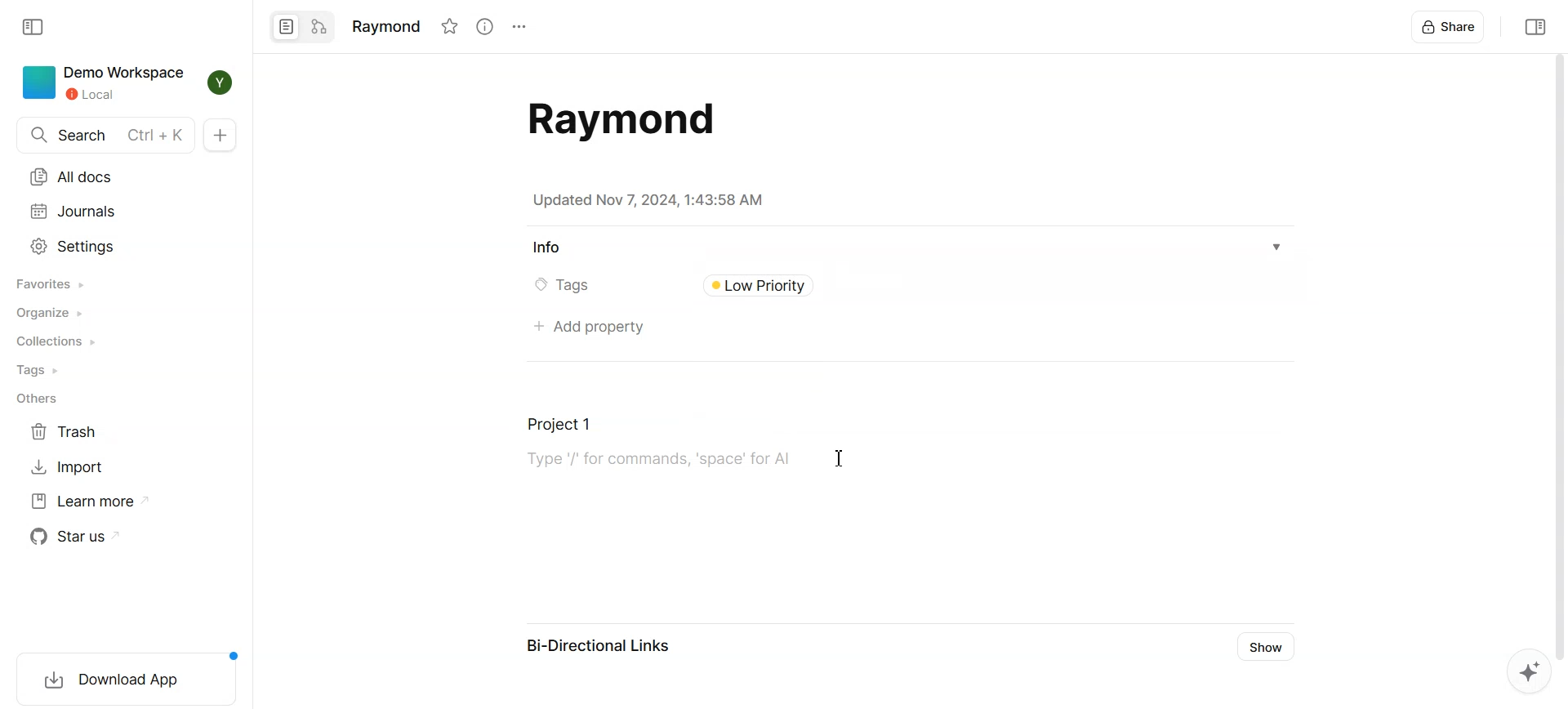 Image resolution: width=1568 pixels, height=709 pixels. Describe the element at coordinates (1523, 673) in the screenshot. I see `Suggestion` at that location.